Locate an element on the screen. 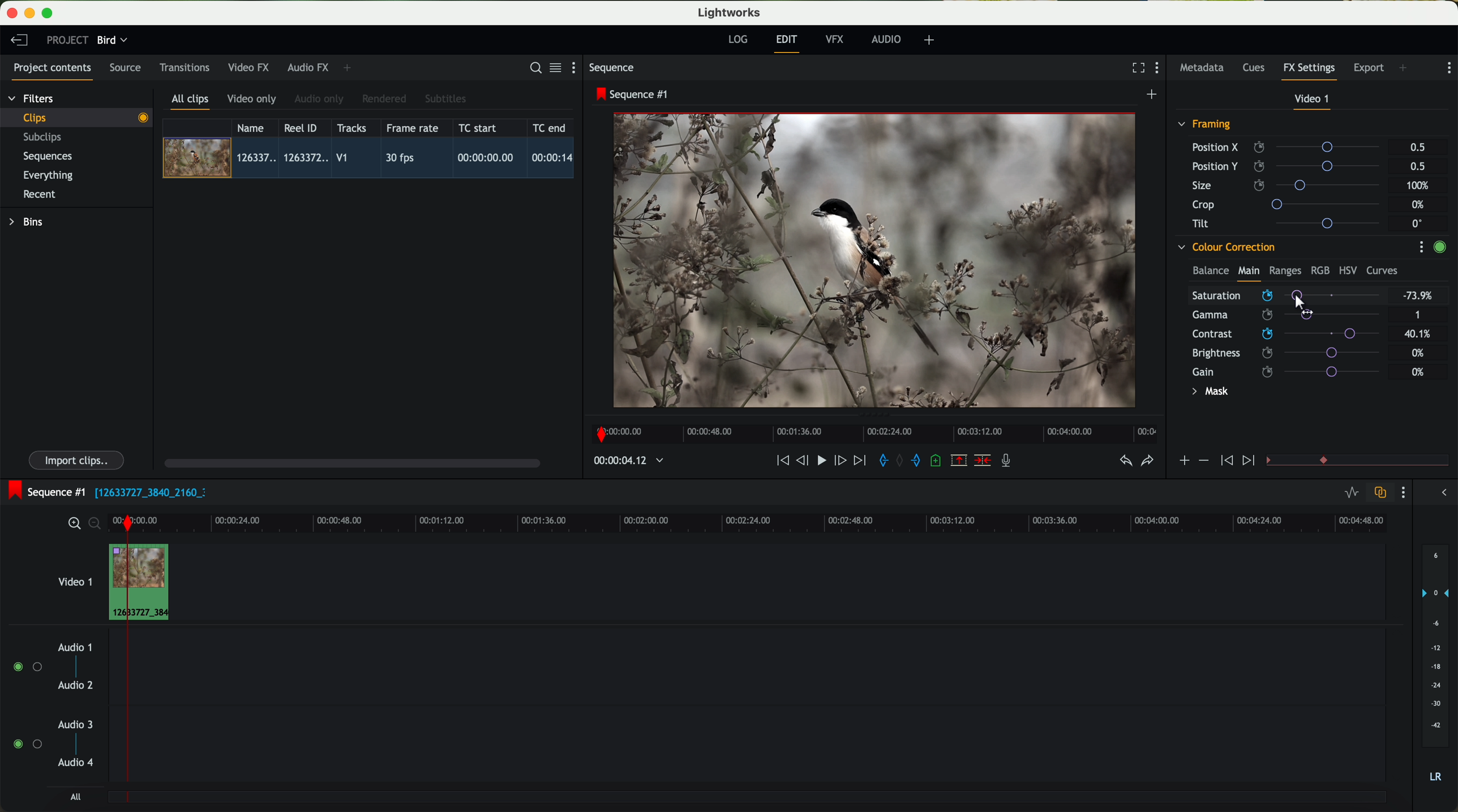  click on video is located at coordinates (372, 160).